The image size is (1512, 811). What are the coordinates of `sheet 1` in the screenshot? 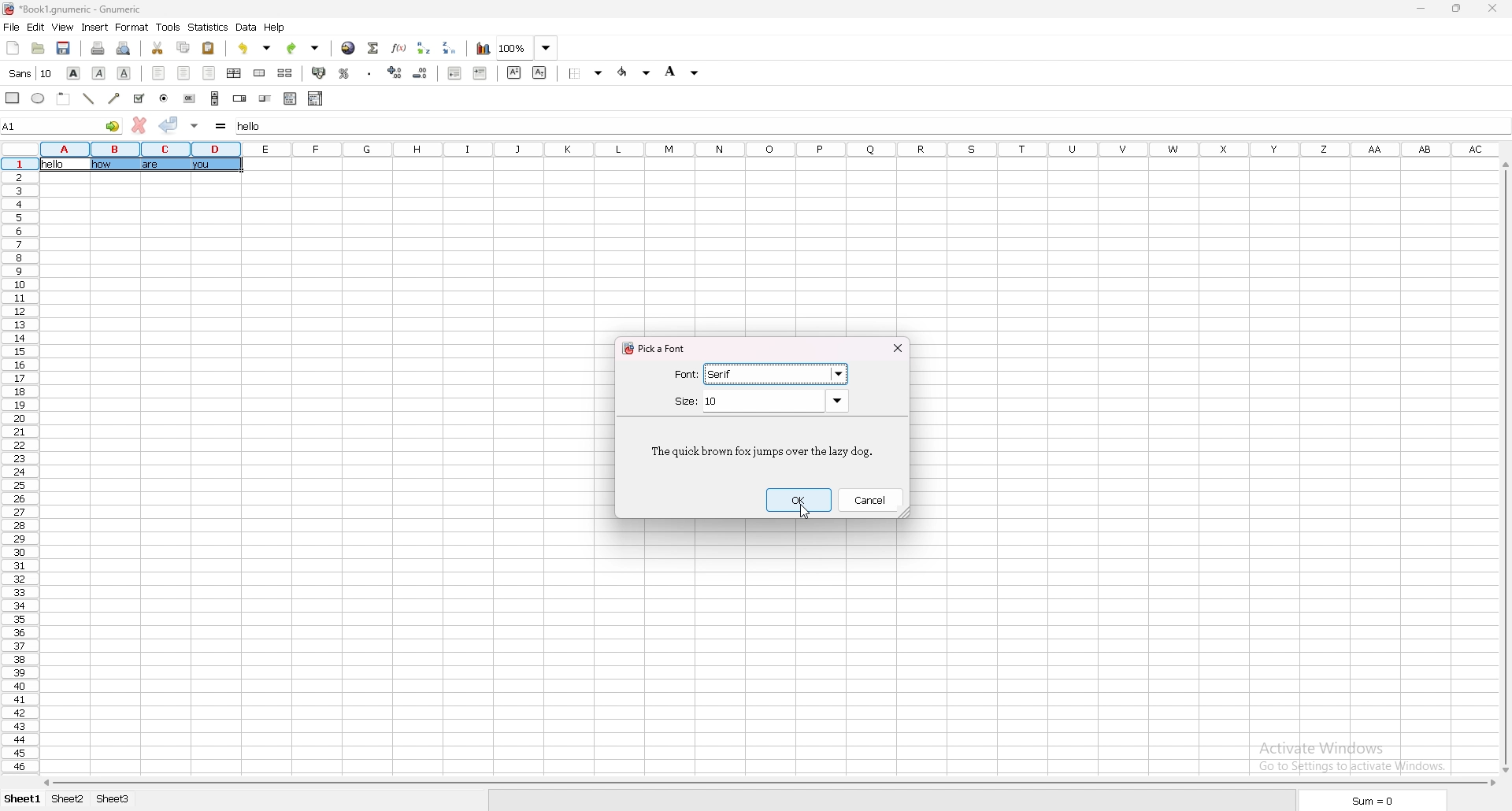 It's located at (21, 801).